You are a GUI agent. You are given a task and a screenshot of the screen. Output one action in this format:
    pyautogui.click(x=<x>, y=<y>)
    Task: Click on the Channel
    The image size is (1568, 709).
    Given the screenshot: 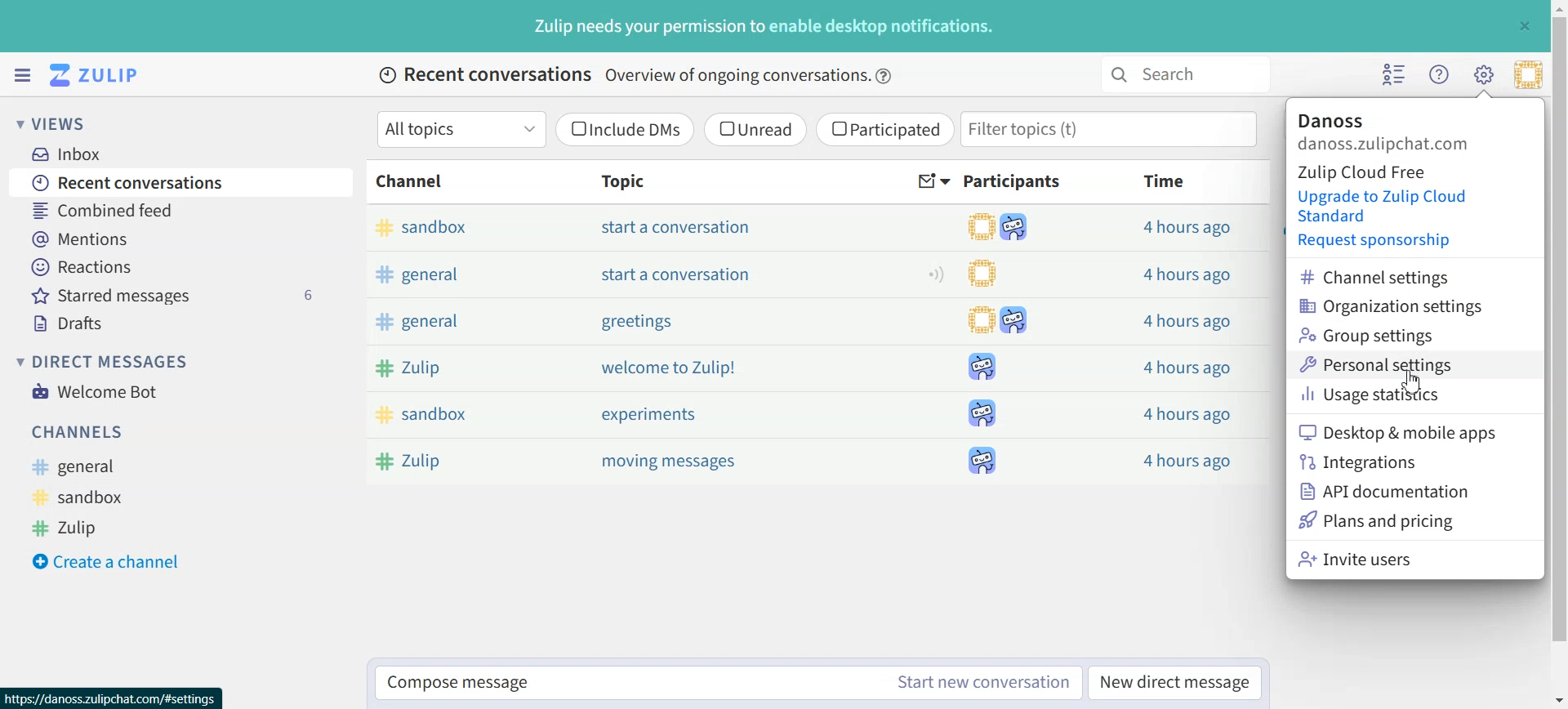 What is the action you would take?
    pyautogui.click(x=413, y=181)
    